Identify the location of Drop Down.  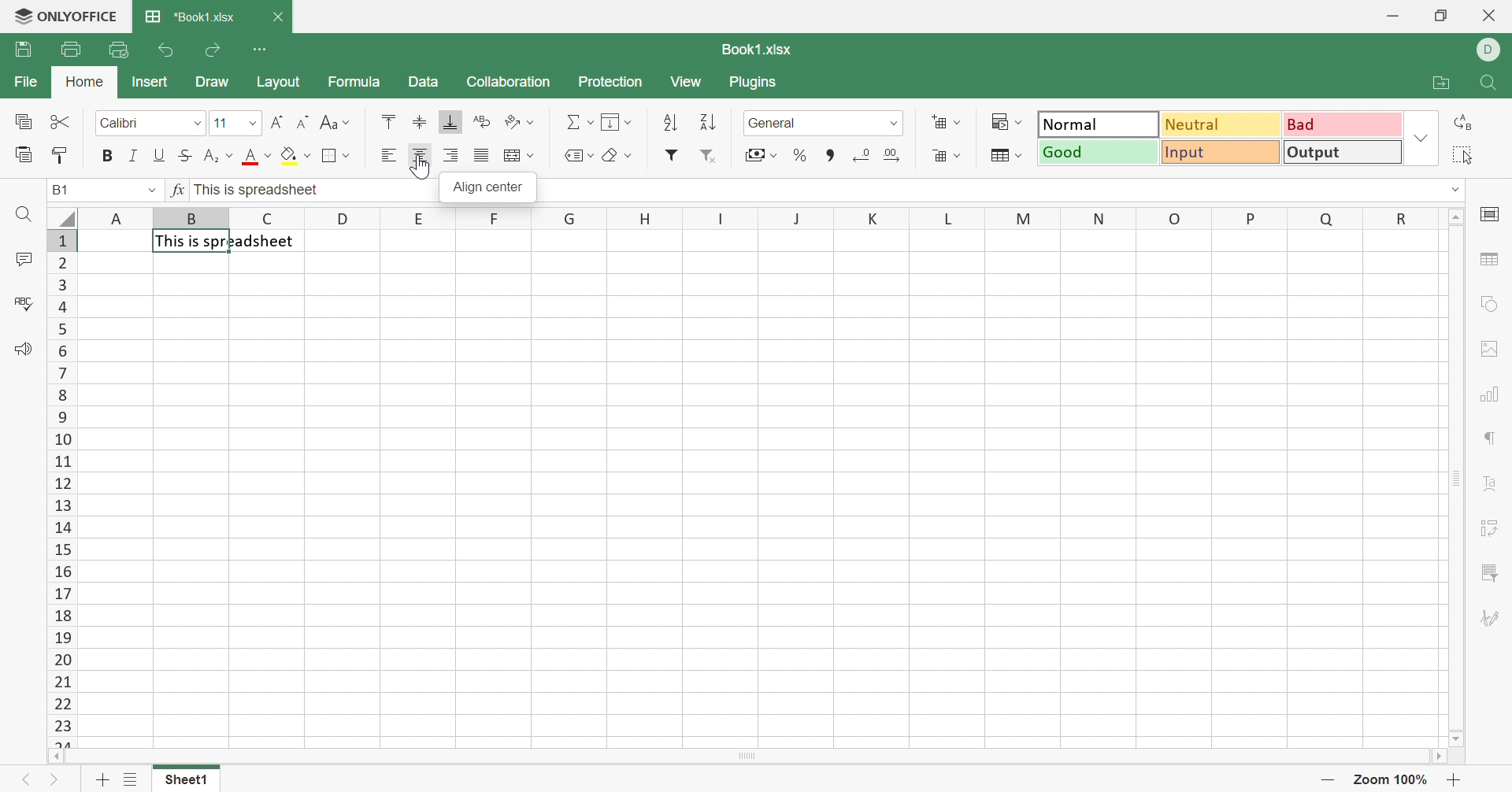
(589, 120).